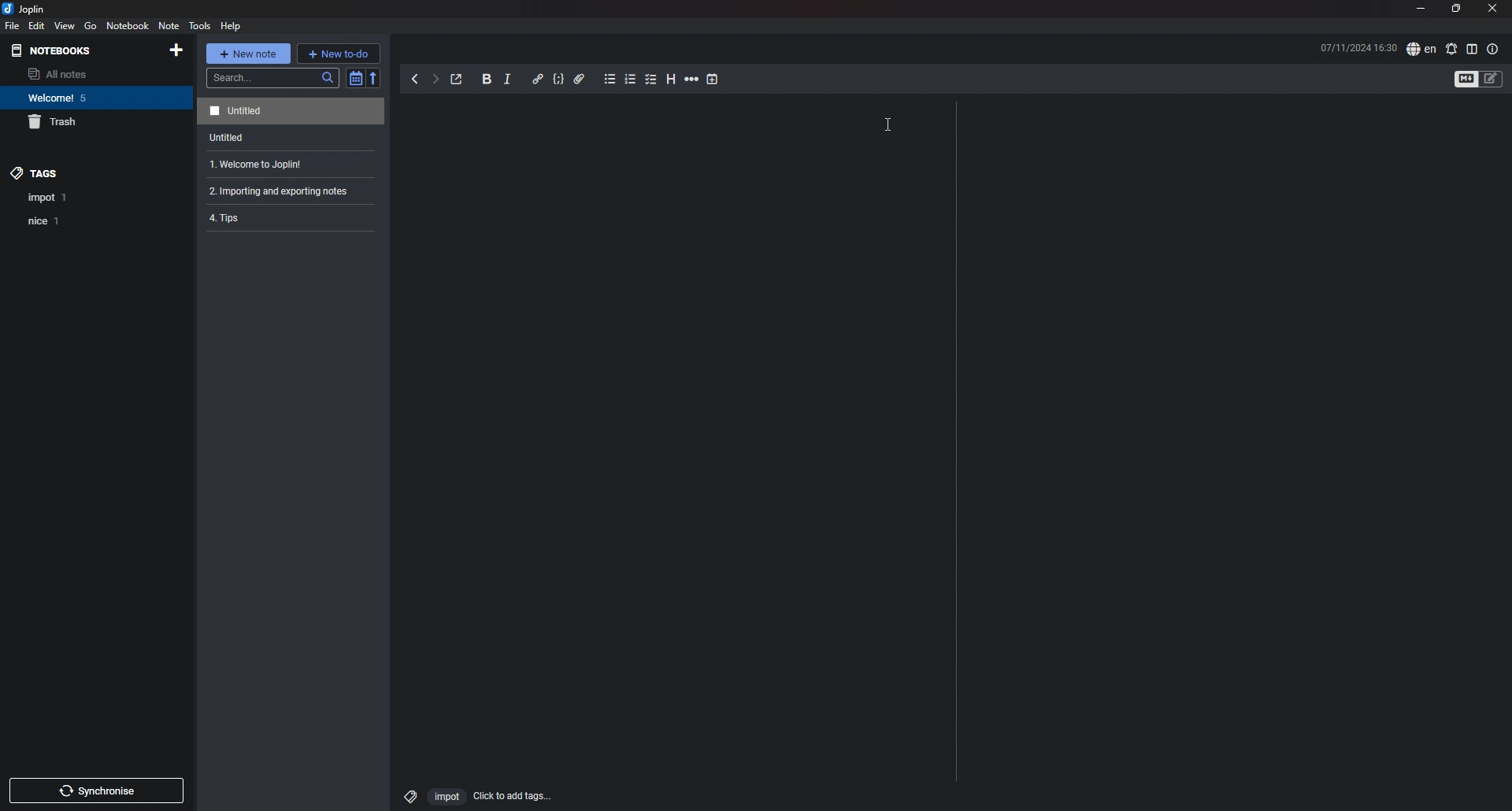 This screenshot has width=1512, height=811. I want to click on notebook, so click(80, 98).